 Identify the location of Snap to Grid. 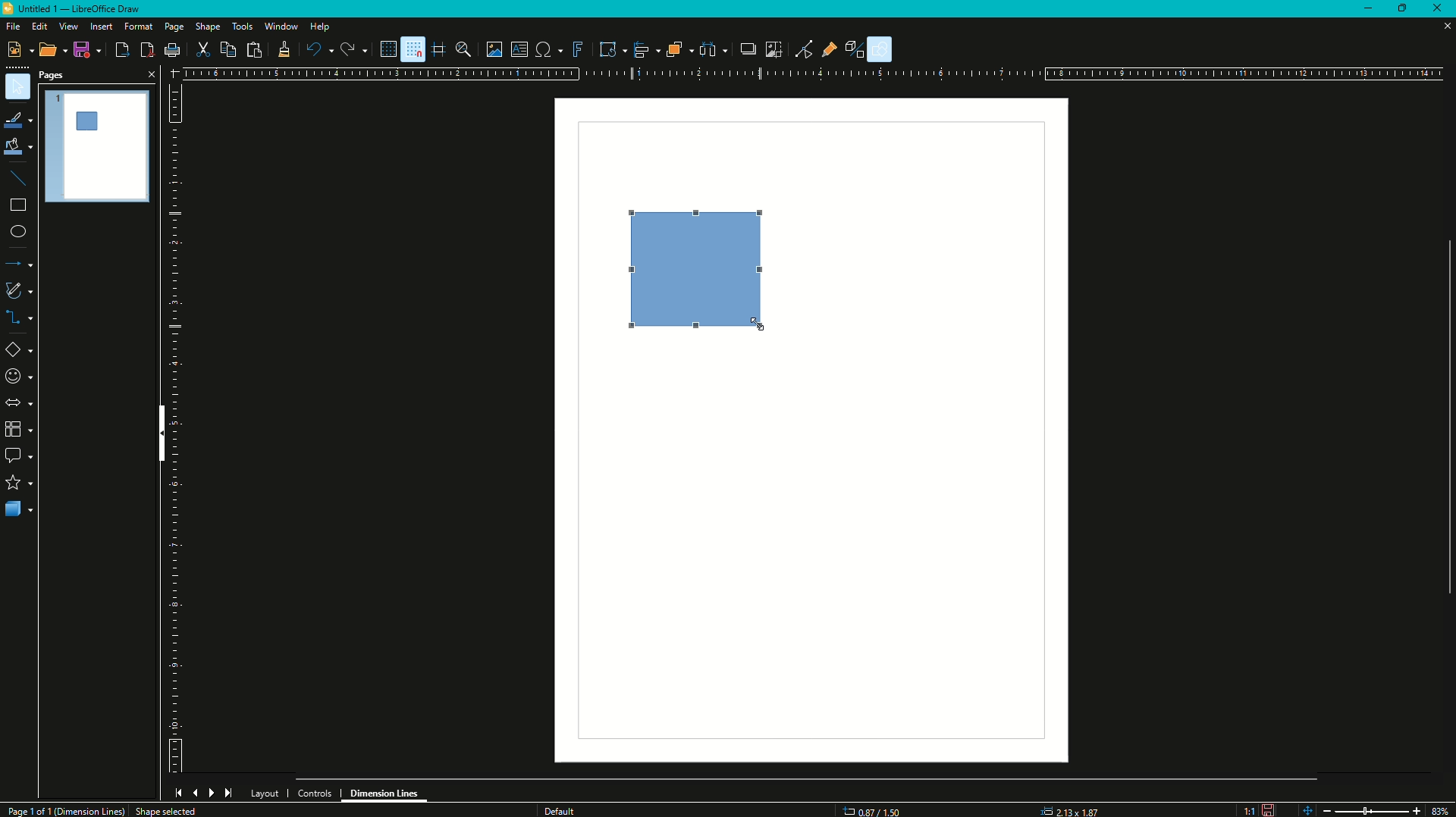
(412, 49).